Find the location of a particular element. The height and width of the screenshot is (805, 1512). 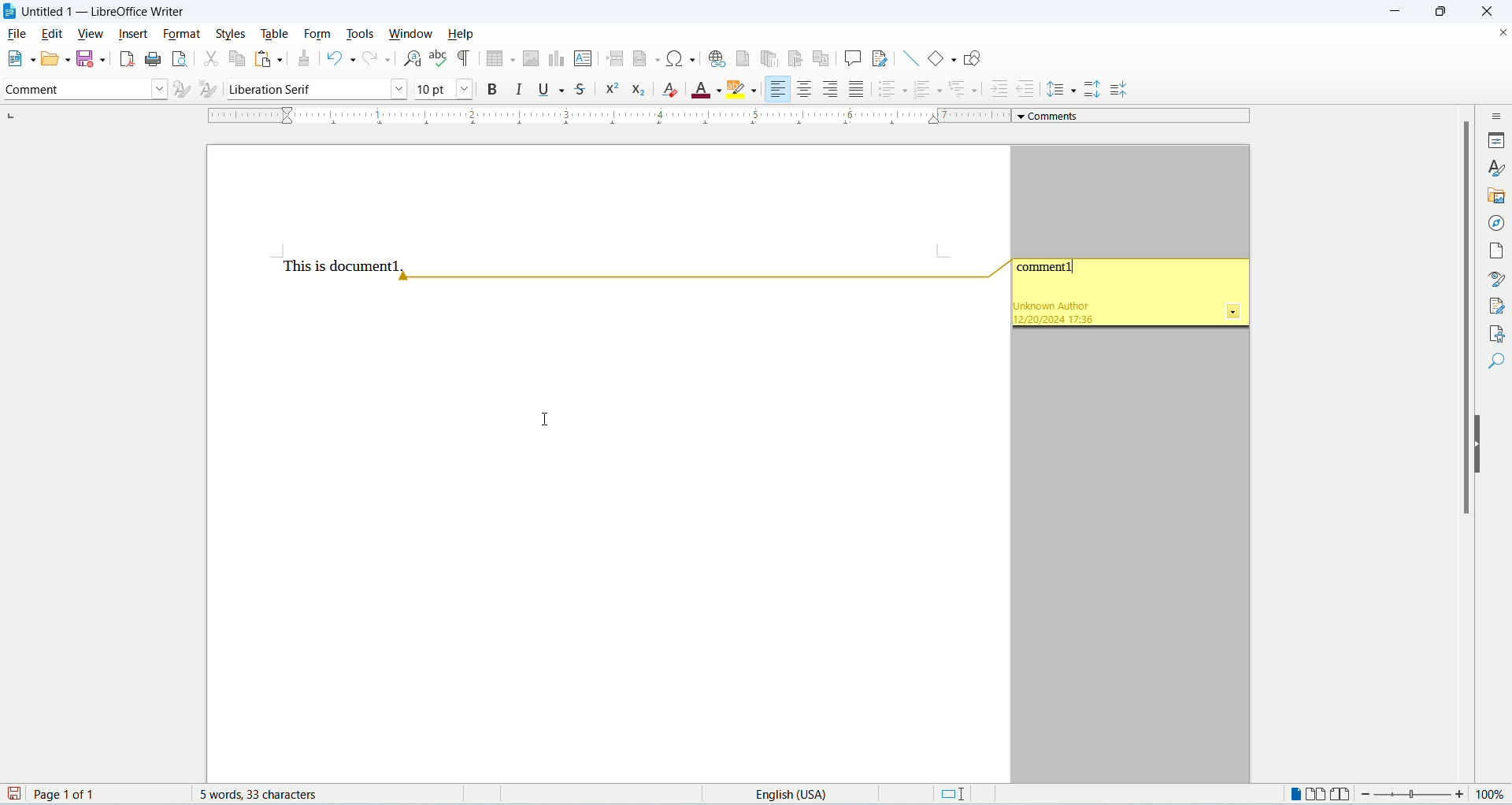

application icon is located at coordinates (9, 12).